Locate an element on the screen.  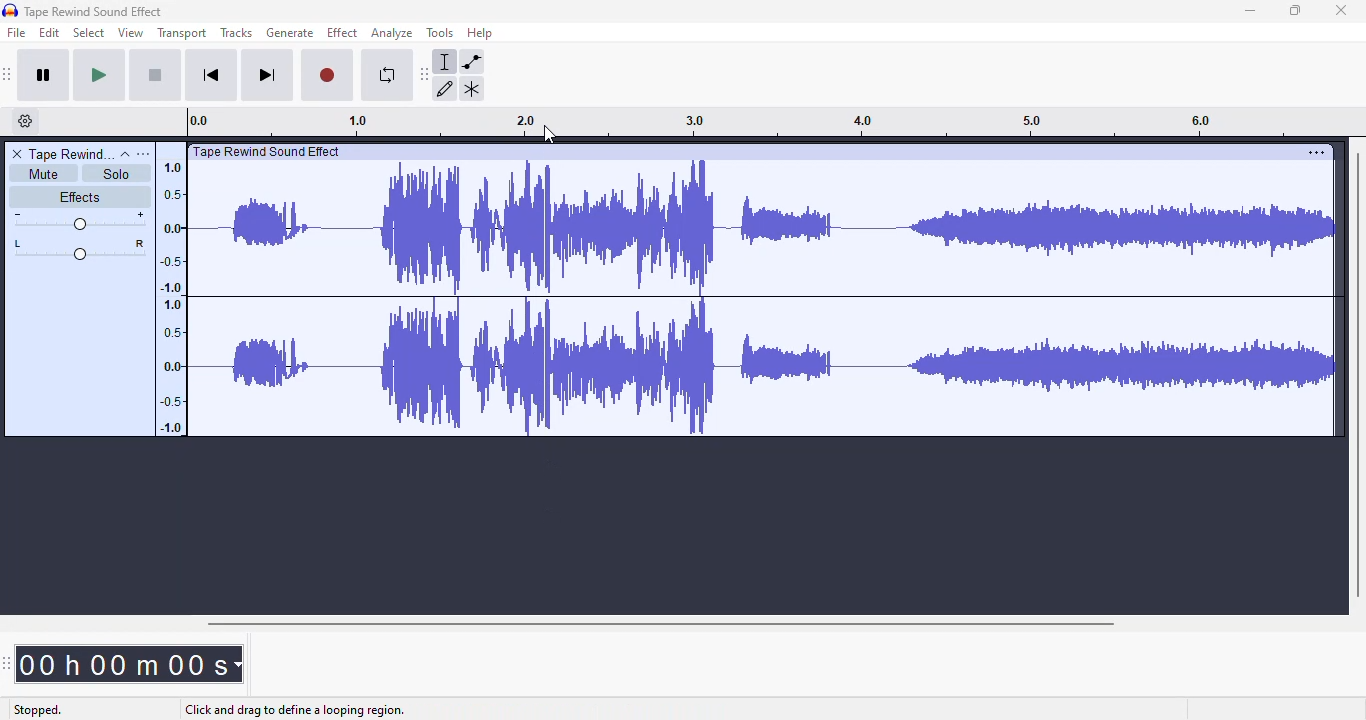
settings is located at coordinates (1316, 152).